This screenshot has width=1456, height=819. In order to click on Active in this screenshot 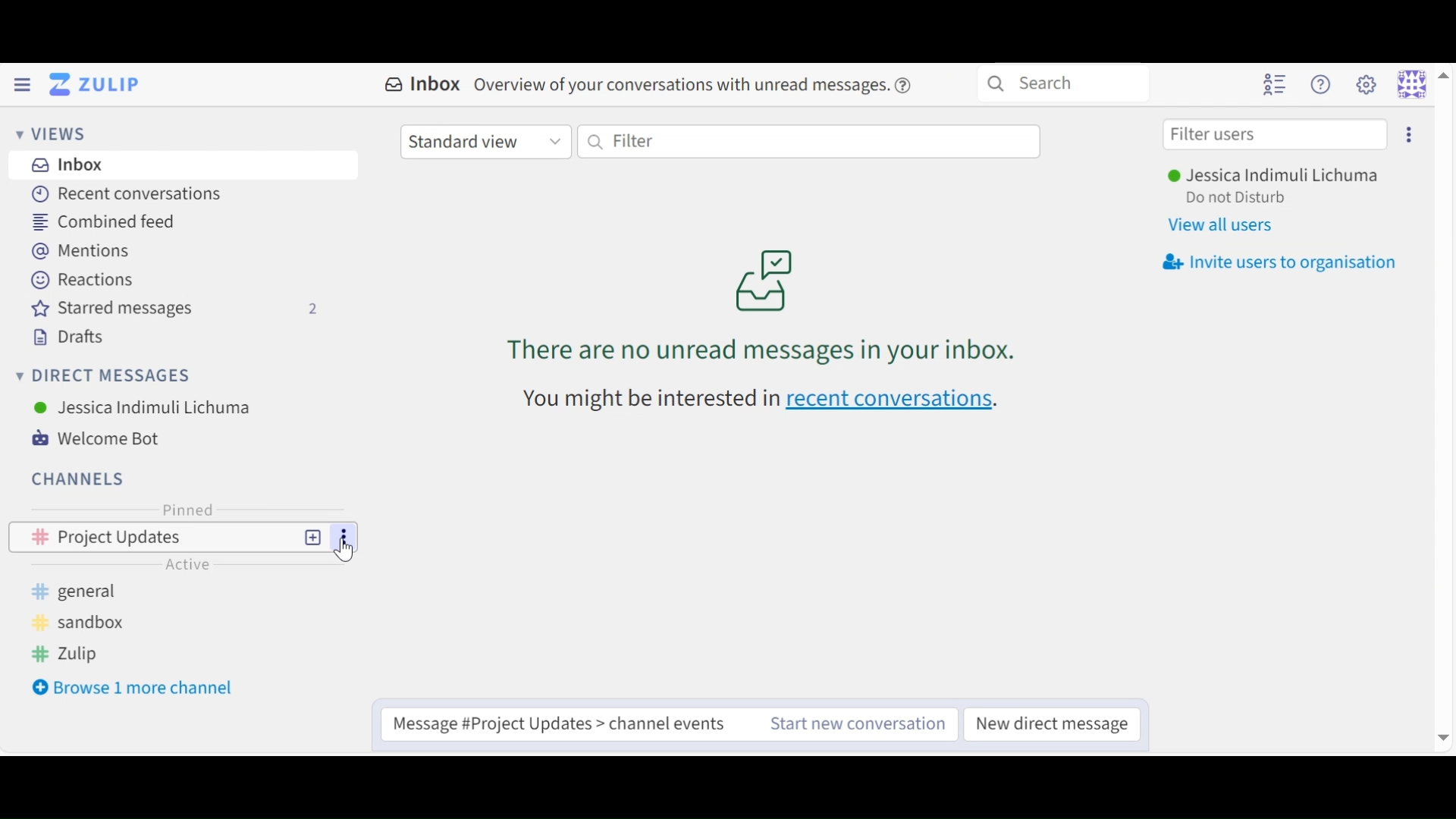, I will do `click(197, 563)`.